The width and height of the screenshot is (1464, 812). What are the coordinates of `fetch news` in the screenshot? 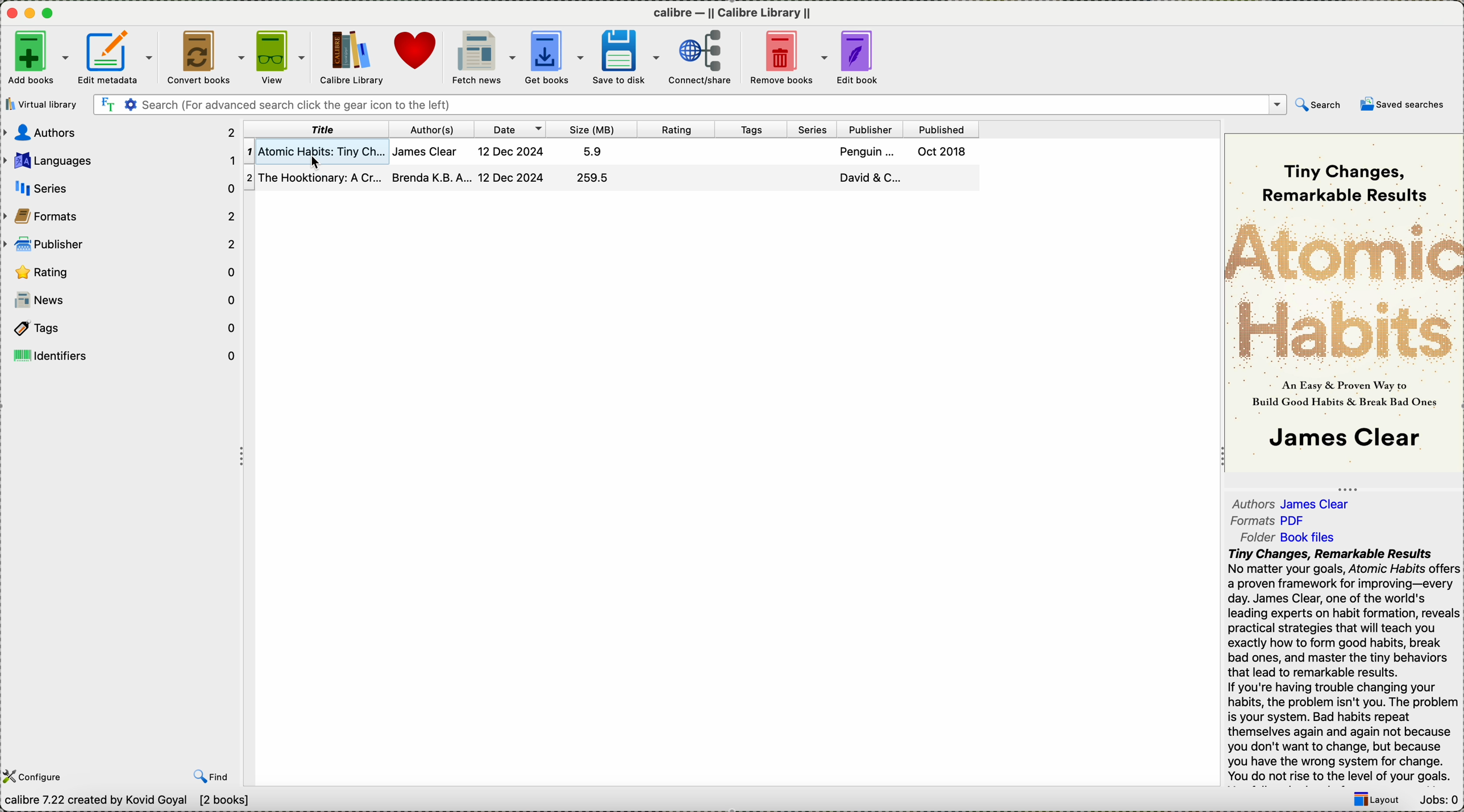 It's located at (483, 58).